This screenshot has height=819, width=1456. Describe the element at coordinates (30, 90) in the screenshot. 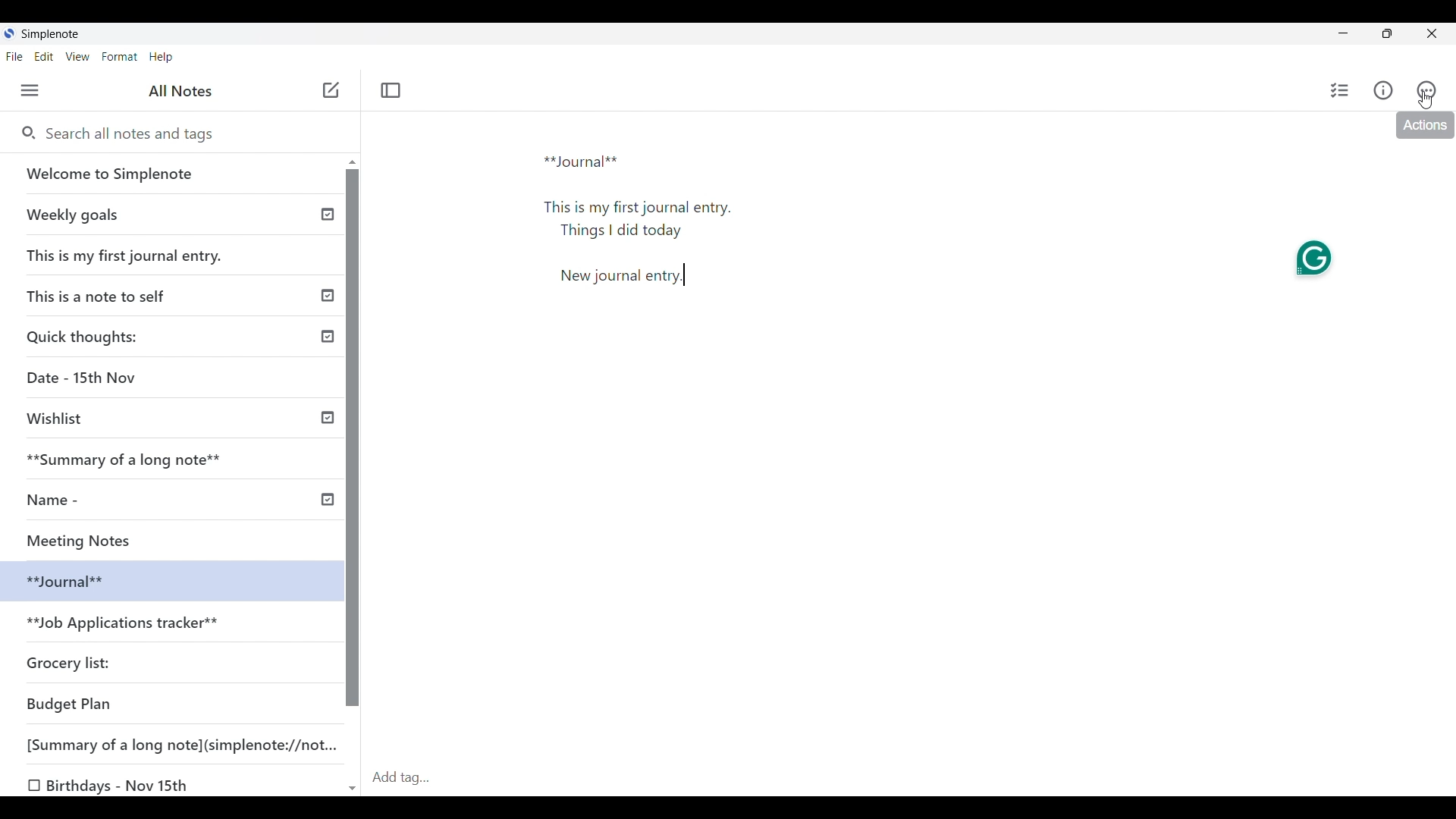

I see `Menu` at that location.